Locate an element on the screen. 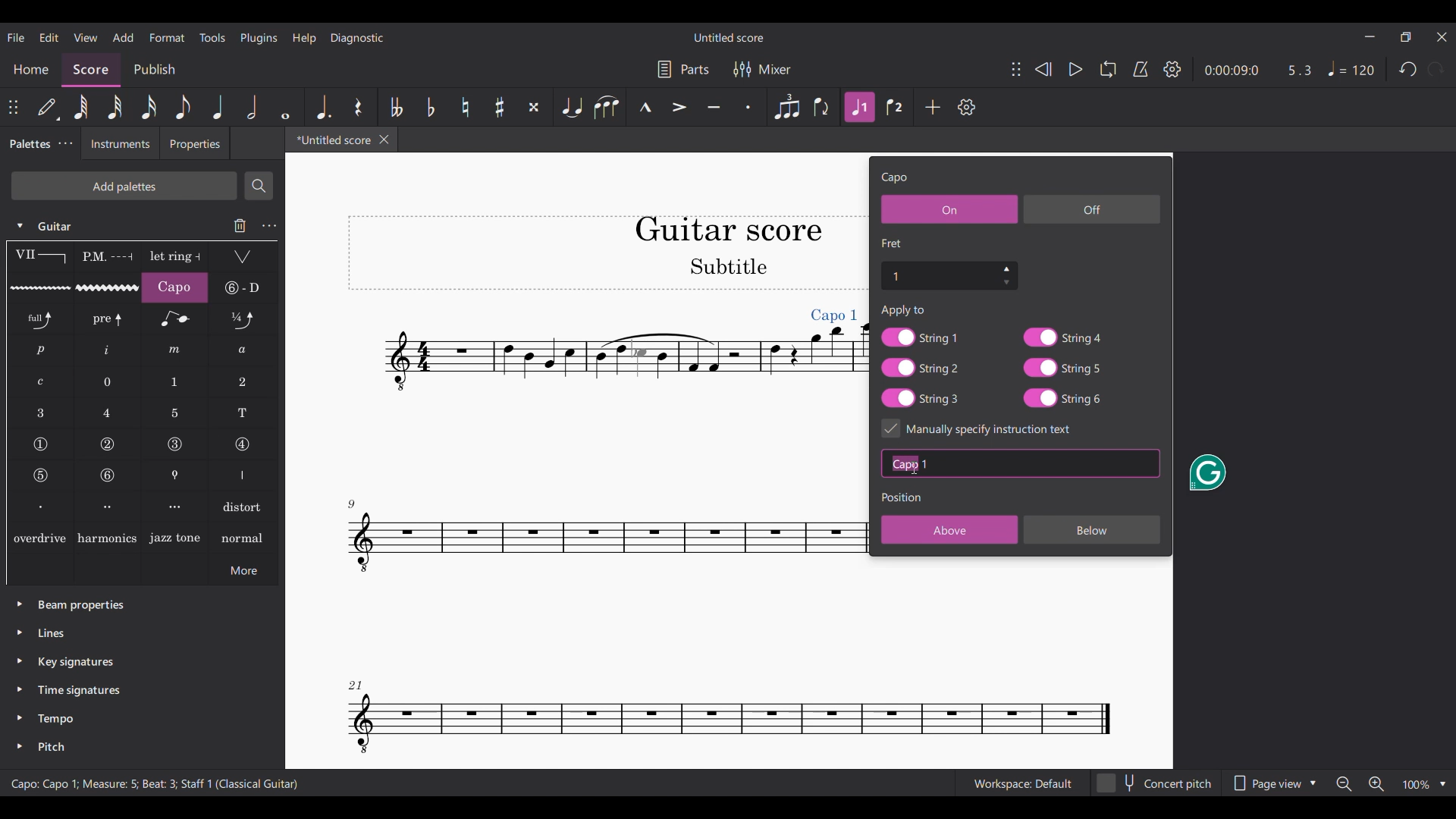  Zoom options is located at coordinates (1424, 785).